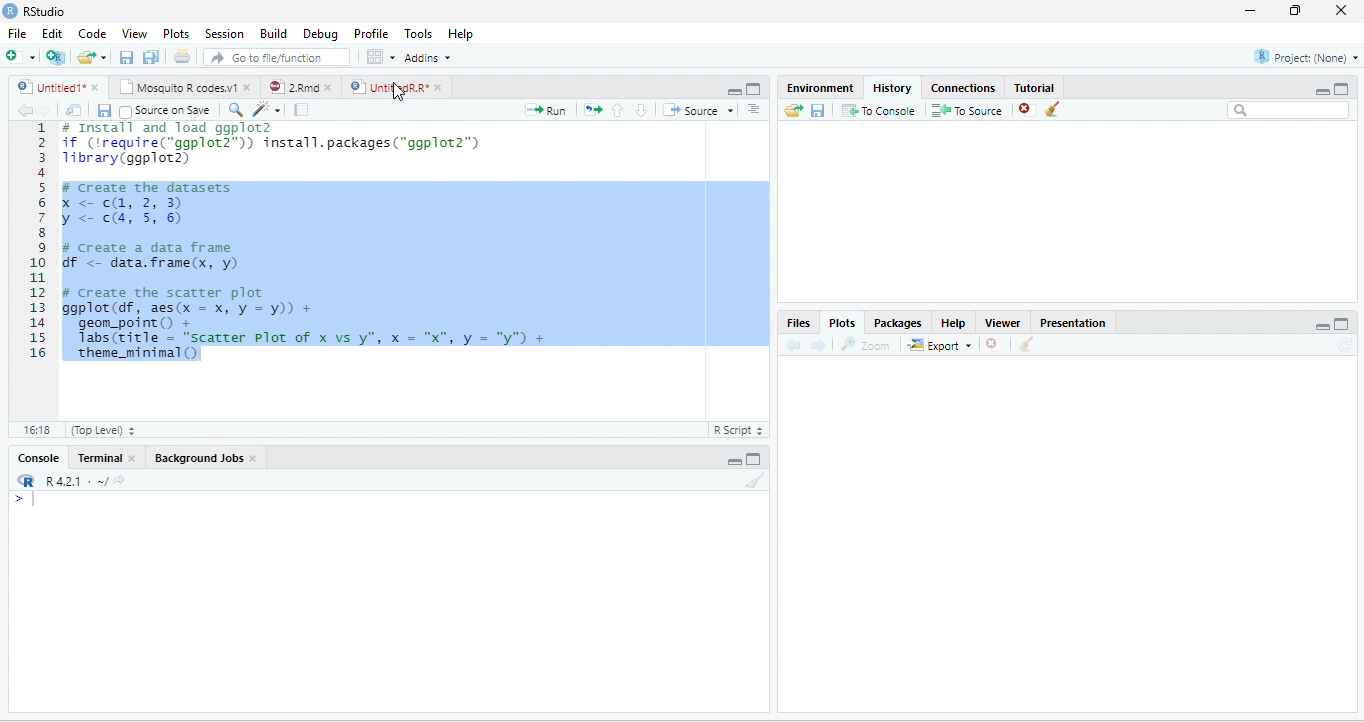  What do you see at coordinates (426, 57) in the screenshot?
I see `Addins` at bounding box center [426, 57].